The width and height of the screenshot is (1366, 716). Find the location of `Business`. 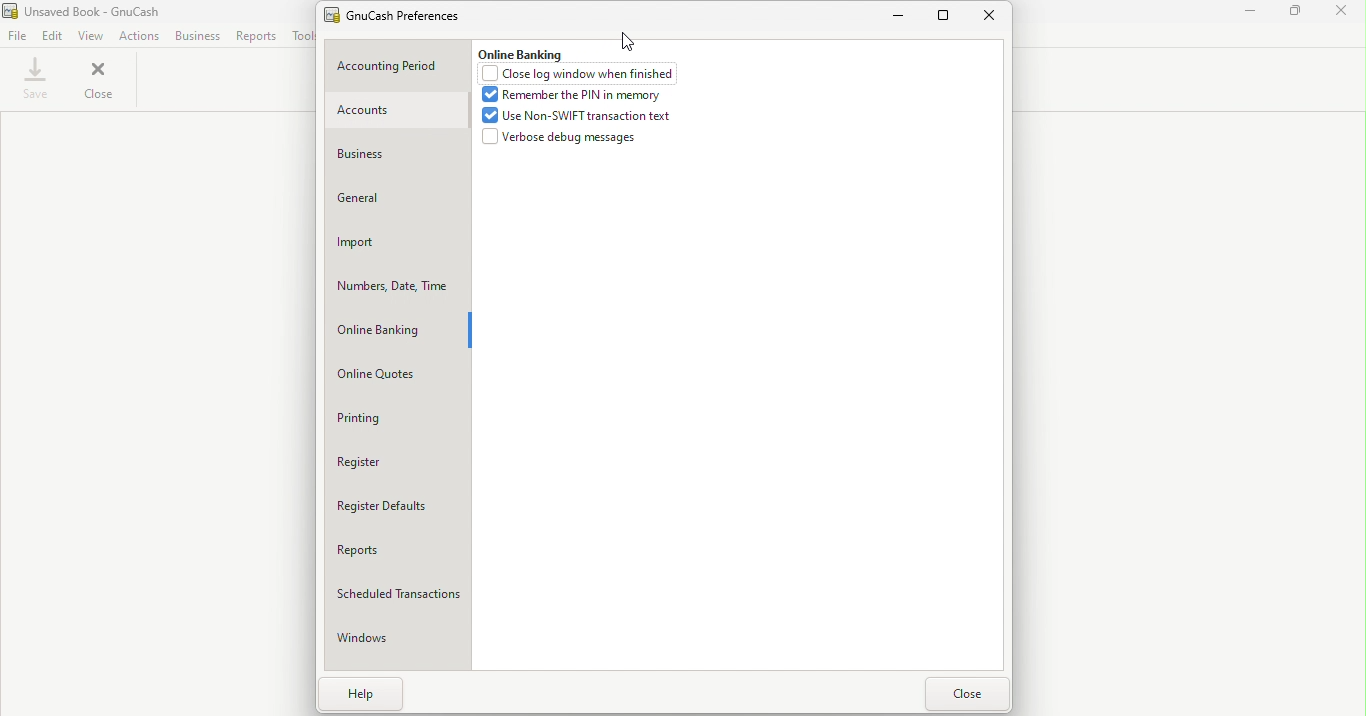

Business is located at coordinates (195, 36).